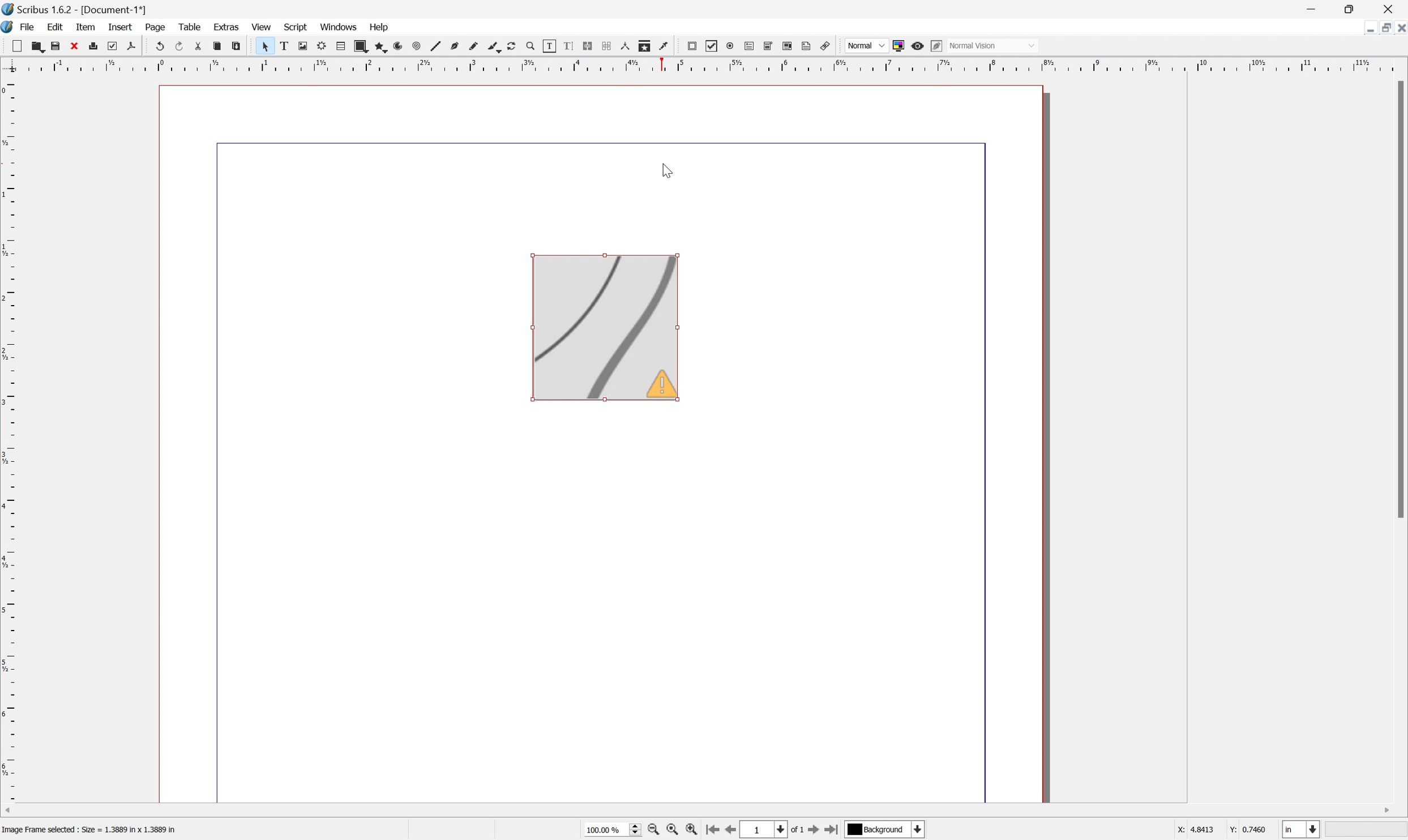 The image size is (1408, 840). I want to click on Scroll bar, so click(1399, 299).